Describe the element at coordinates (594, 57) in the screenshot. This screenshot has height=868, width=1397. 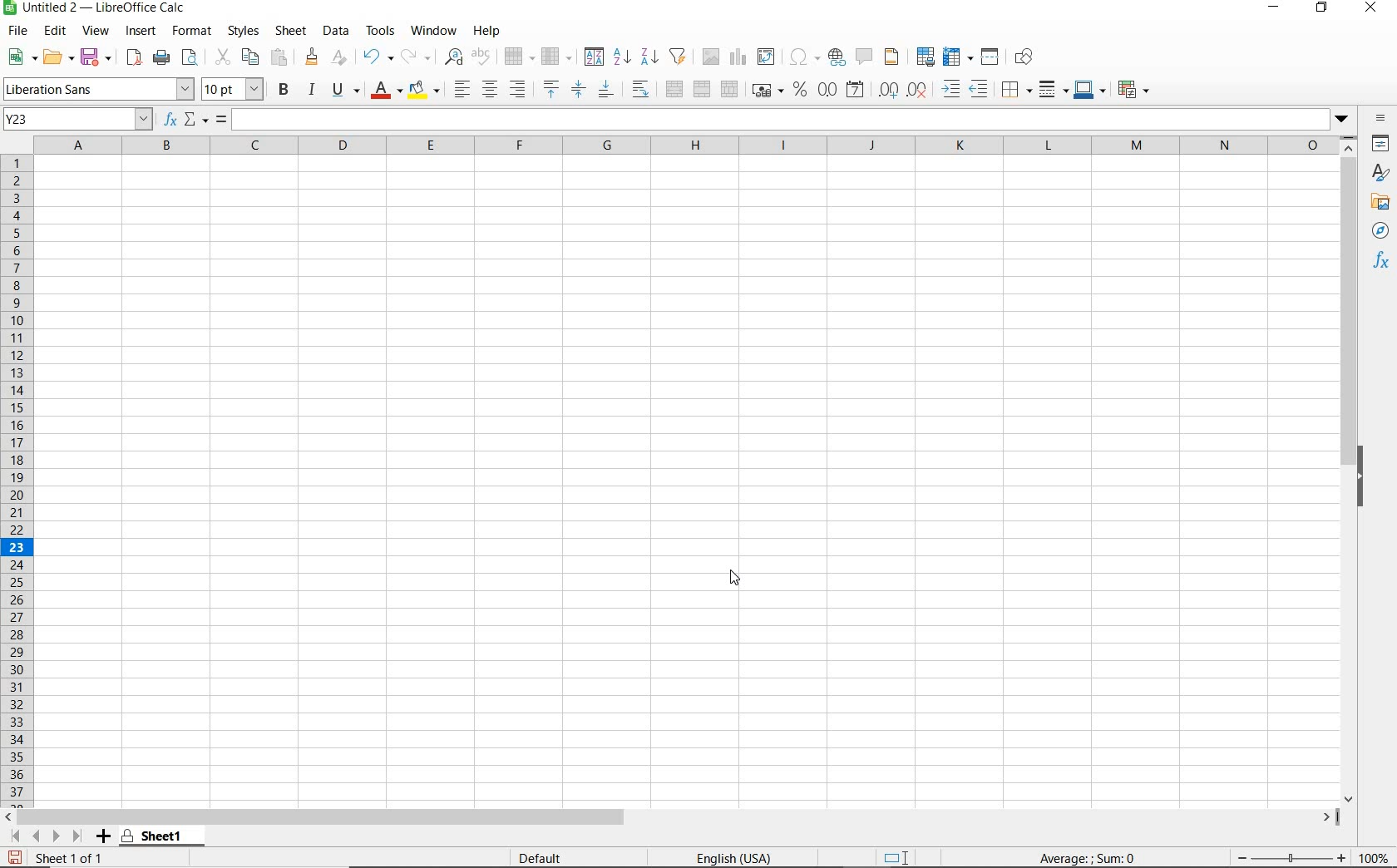
I see `SORTS` at that location.